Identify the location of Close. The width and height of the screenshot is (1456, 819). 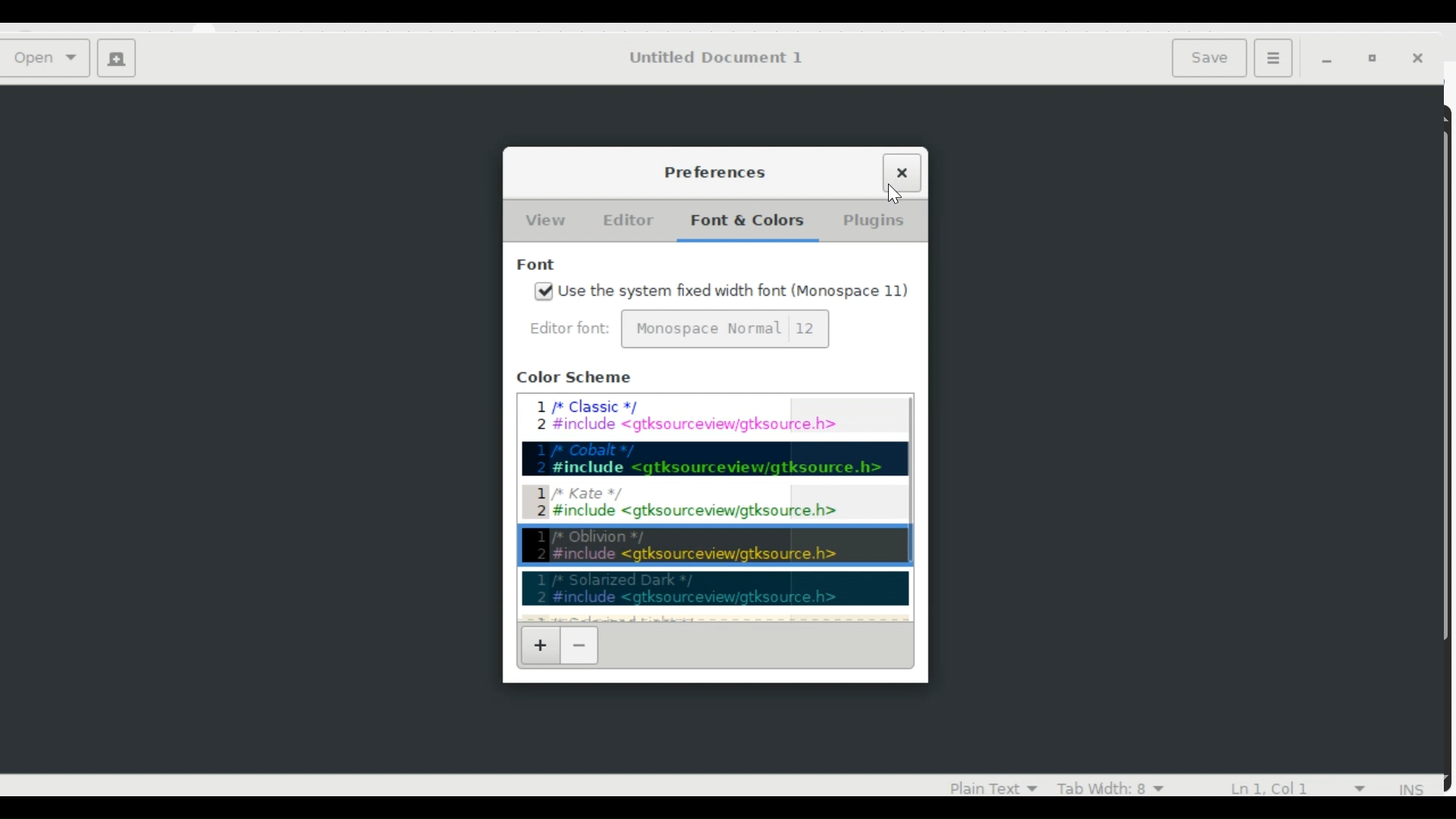
(908, 172).